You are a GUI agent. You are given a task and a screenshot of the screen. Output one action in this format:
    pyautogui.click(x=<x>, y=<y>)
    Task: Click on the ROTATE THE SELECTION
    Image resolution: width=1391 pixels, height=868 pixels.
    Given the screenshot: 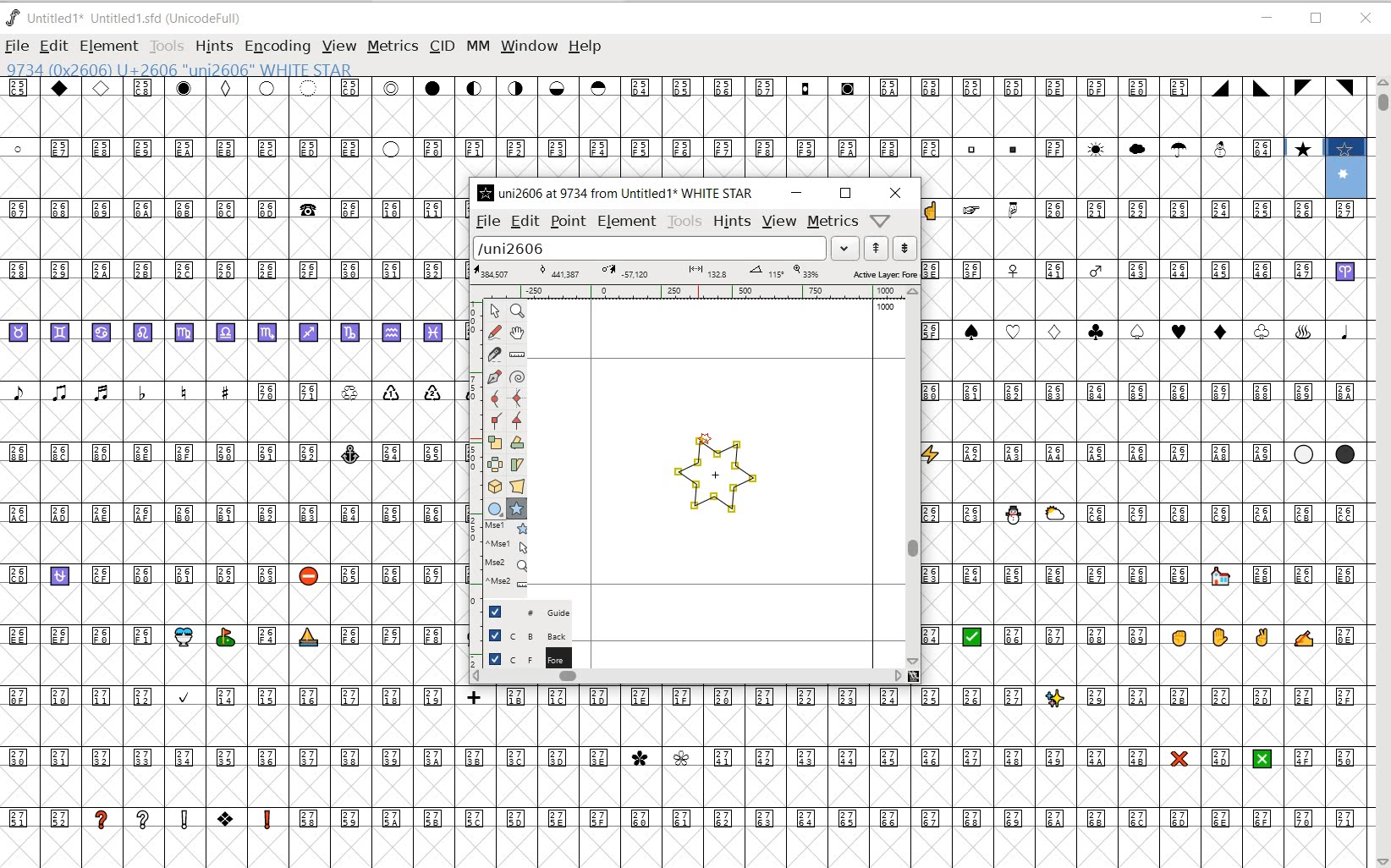 What is the action you would take?
    pyautogui.click(x=517, y=442)
    